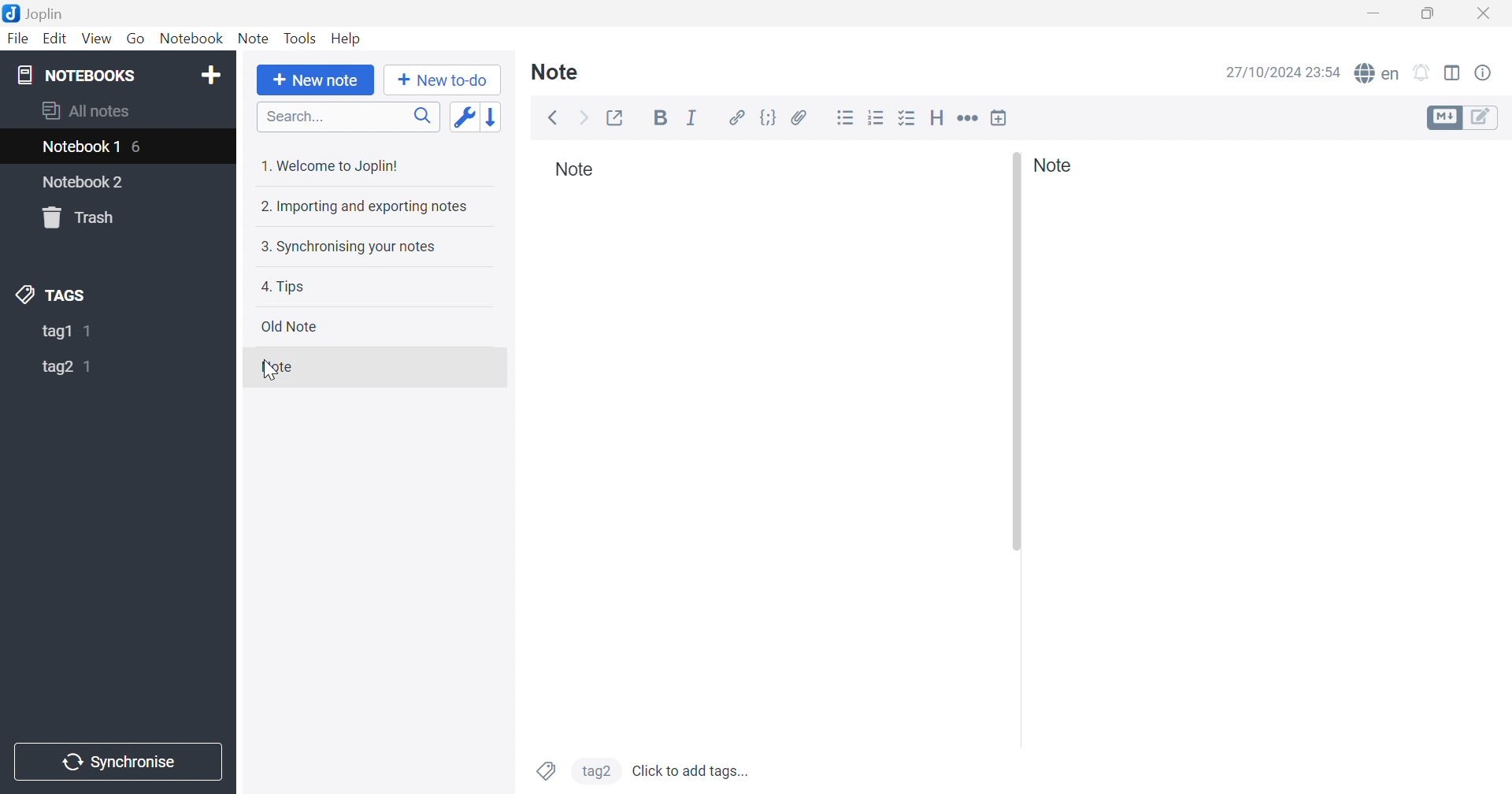 The height and width of the screenshot is (794, 1512). Describe the element at coordinates (999, 117) in the screenshot. I see `Insert time` at that location.